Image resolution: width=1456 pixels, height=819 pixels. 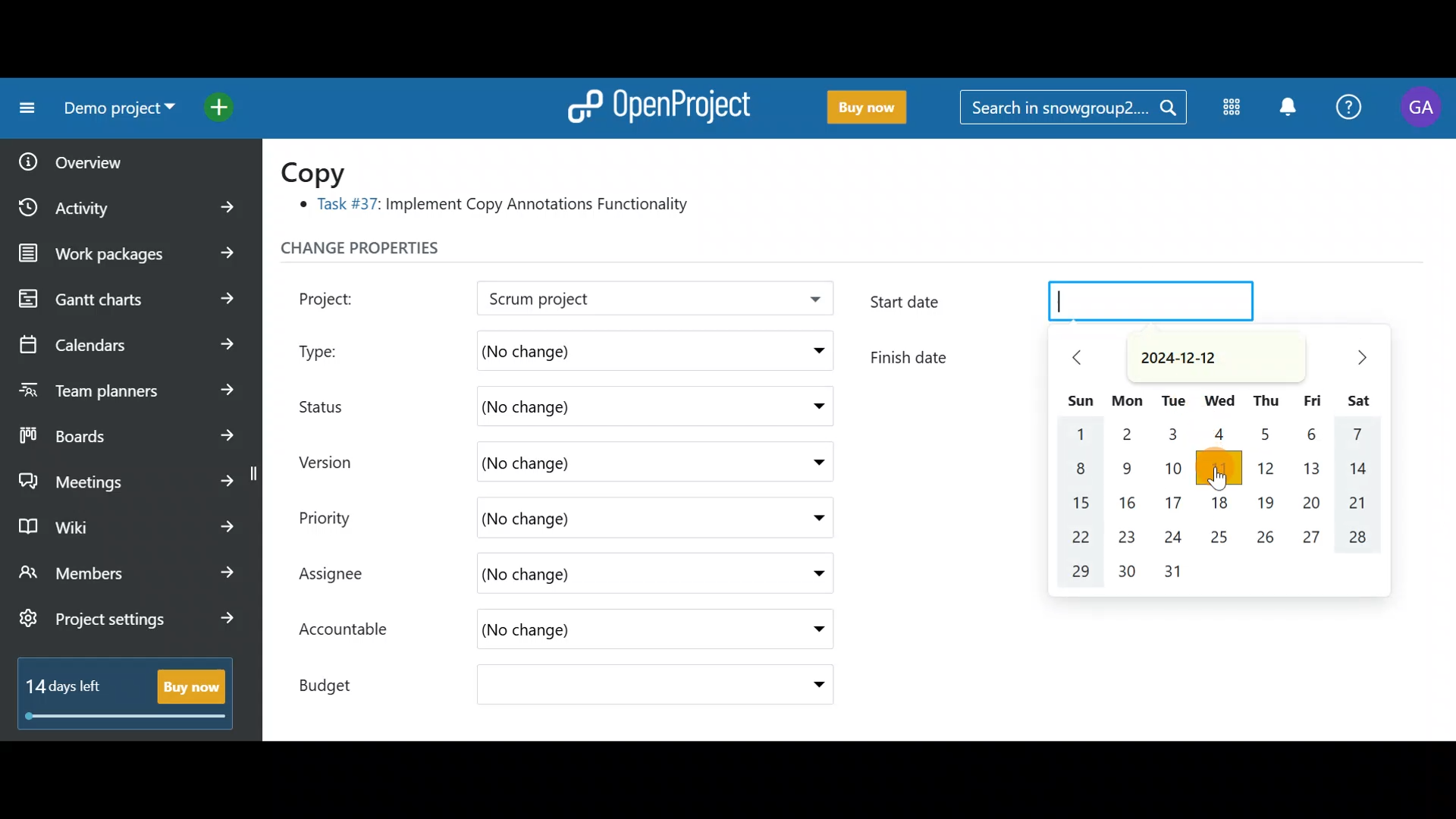 I want to click on Work packages, so click(x=130, y=253).